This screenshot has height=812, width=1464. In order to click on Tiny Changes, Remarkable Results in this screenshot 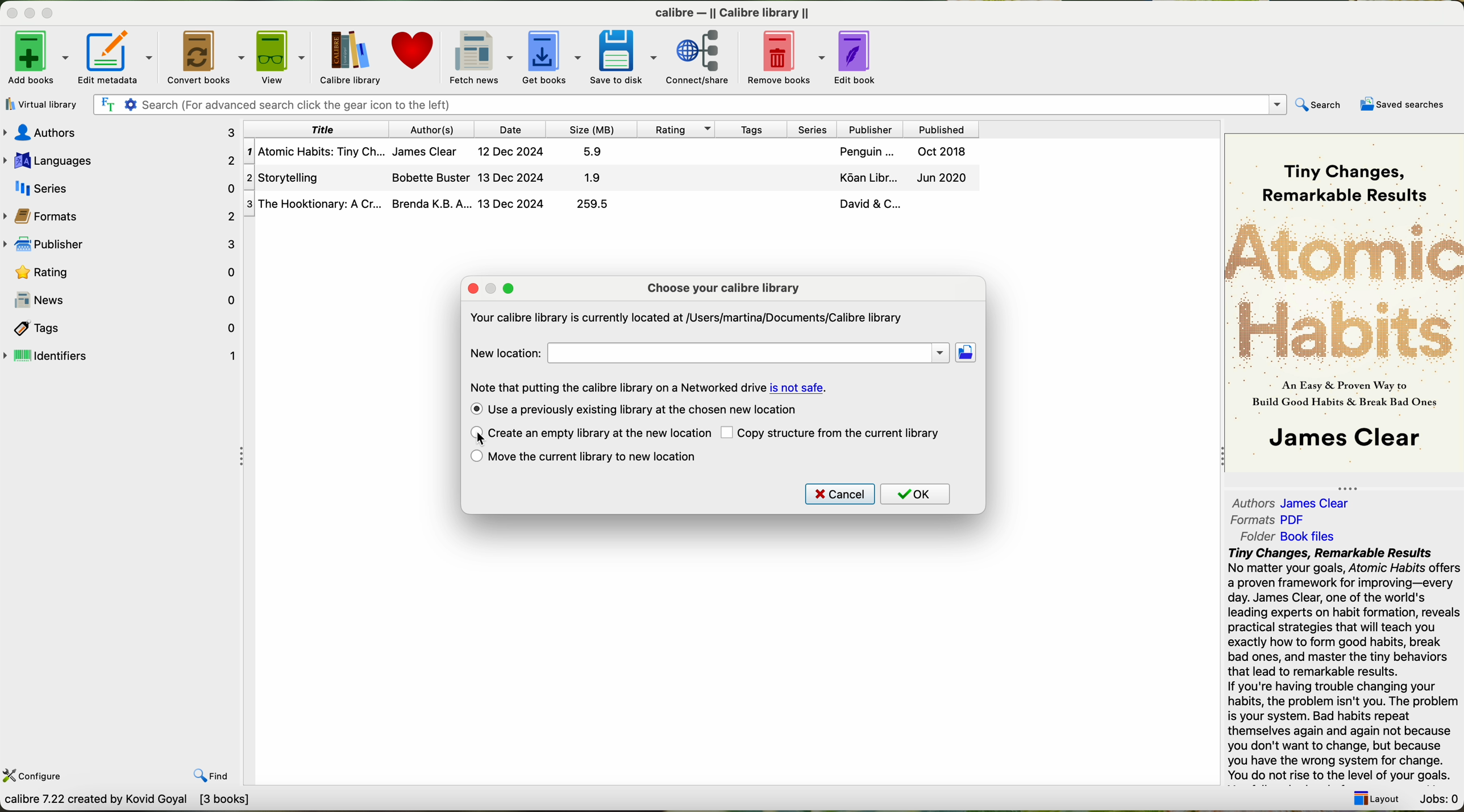, I will do `click(1344, 170)`.